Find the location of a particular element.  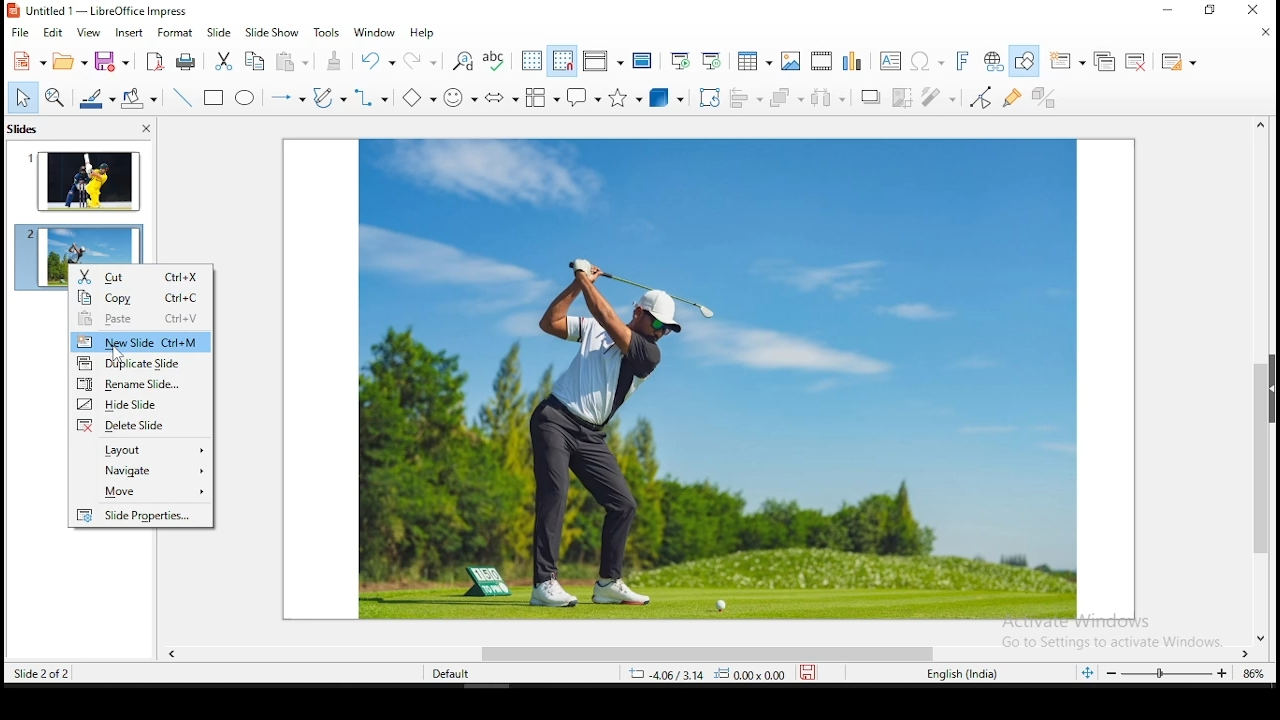

undo is located at coordinates (378, 62).